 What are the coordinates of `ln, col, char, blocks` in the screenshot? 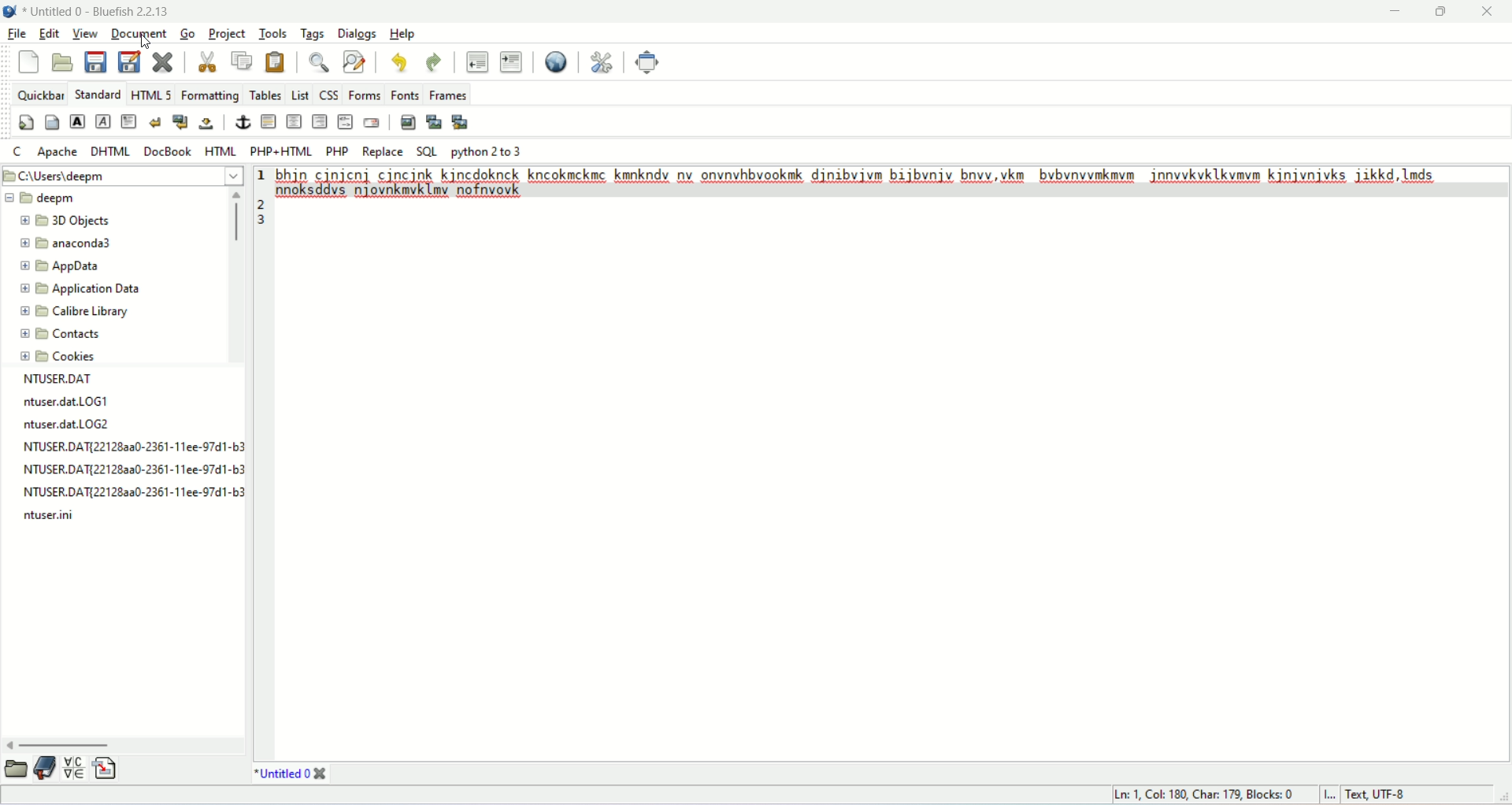 It's located at (1201, 794).